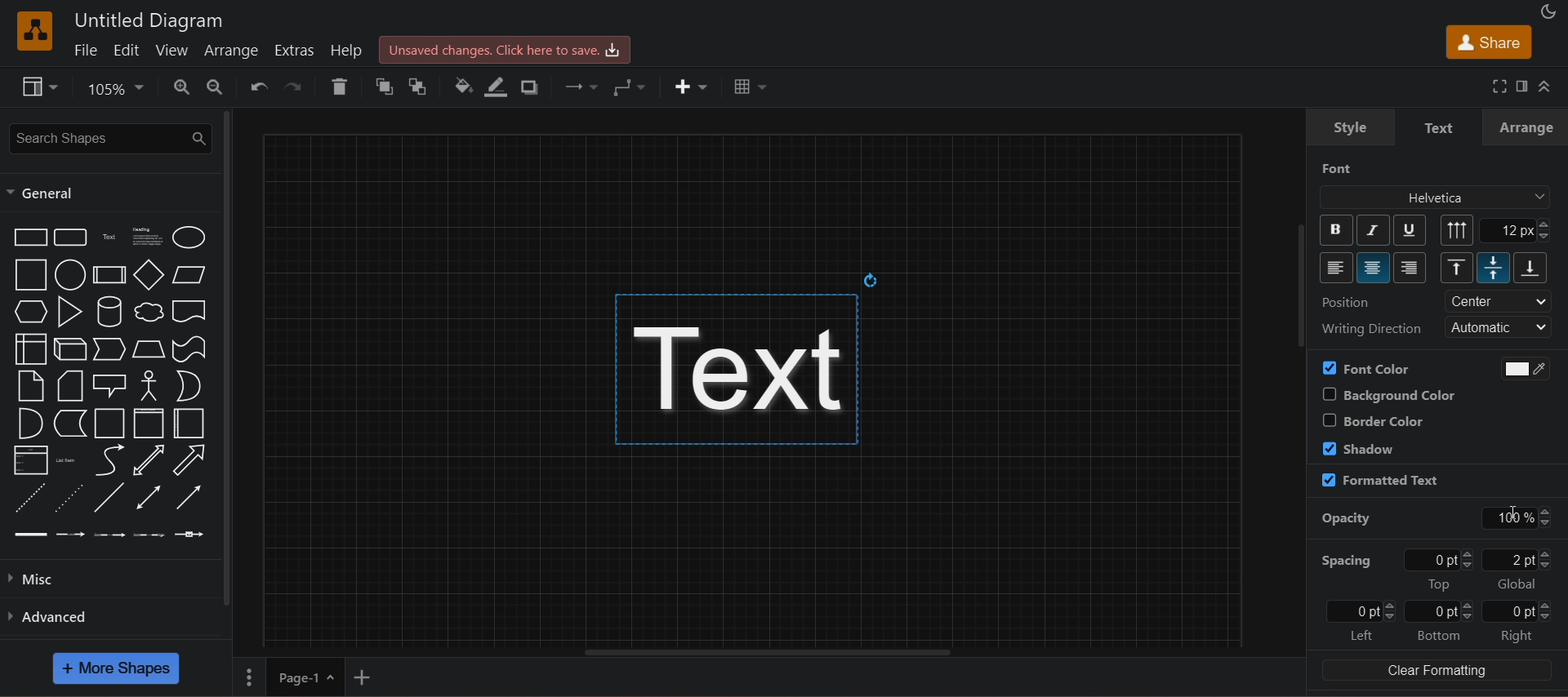  Describe the element at coordinates (110, 312) in the screenshot. I see `cylinder` at that location.